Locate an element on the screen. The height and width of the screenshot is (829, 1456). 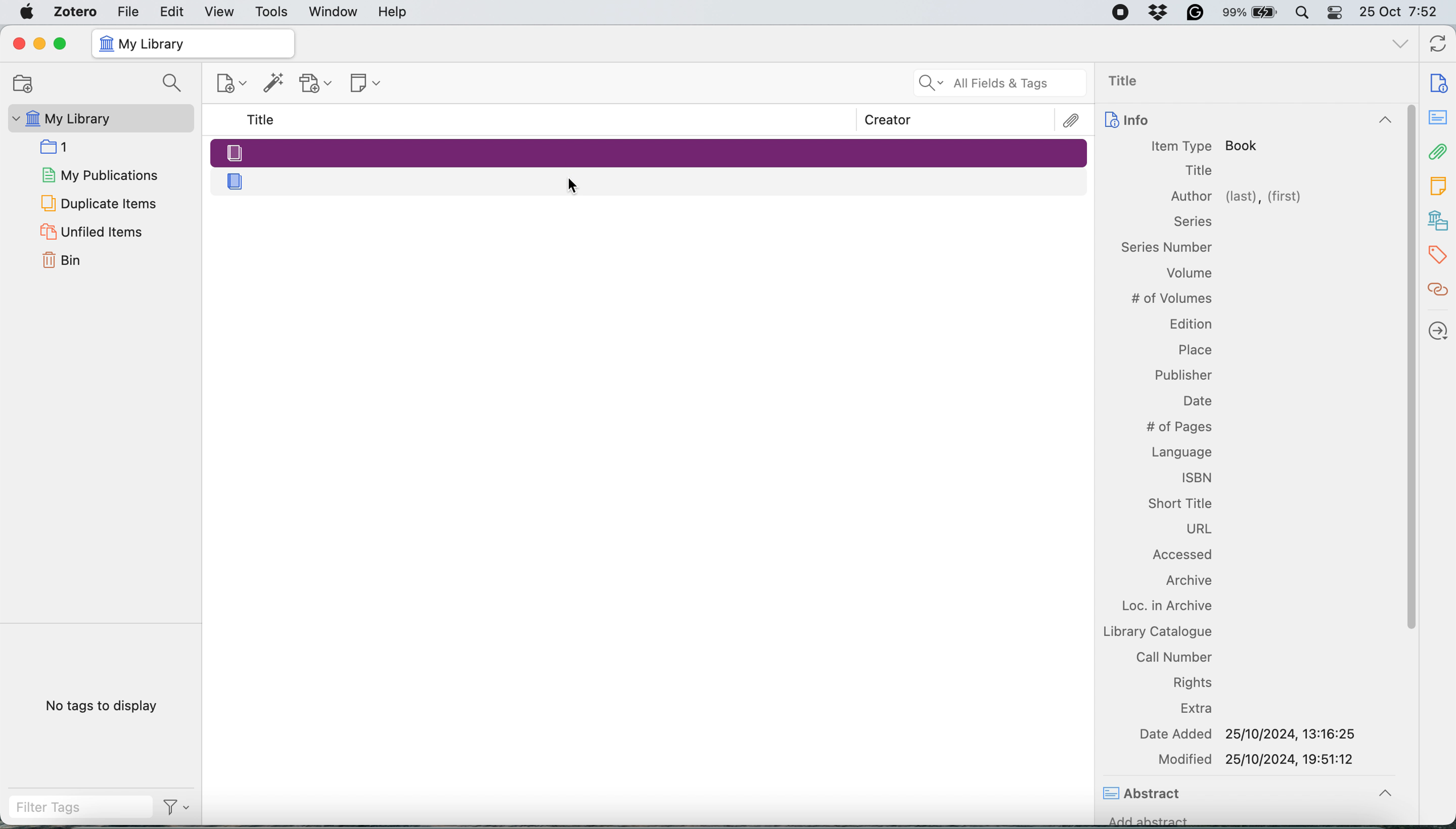
Unfiled Items is located at coordinates (94, 231).